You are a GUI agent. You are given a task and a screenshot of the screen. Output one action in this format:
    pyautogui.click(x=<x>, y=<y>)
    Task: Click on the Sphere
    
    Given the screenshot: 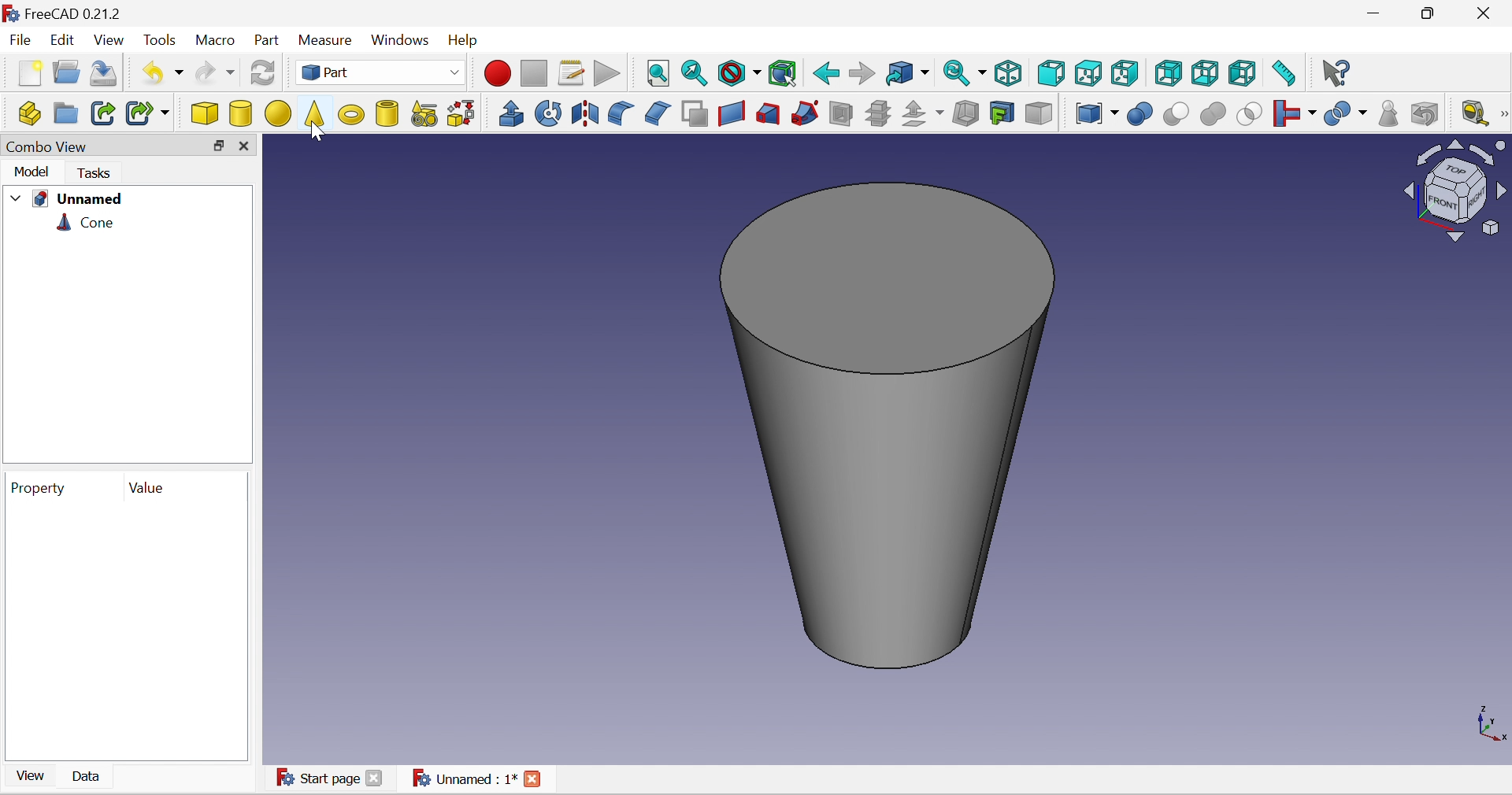 What is the action you would take?
    pyautogui.click(x=278, y=114)
    